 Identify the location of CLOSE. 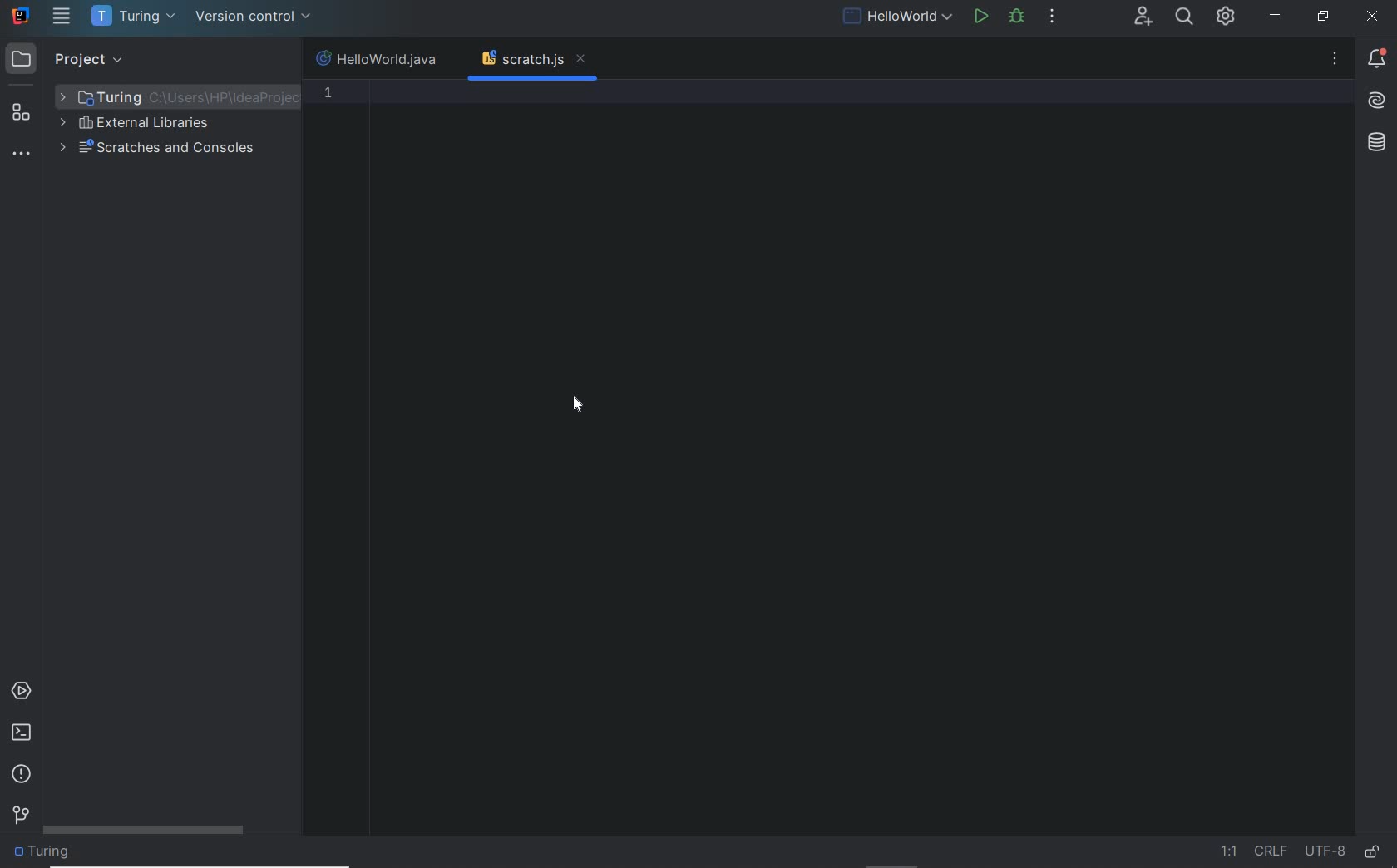
(1375, 16).